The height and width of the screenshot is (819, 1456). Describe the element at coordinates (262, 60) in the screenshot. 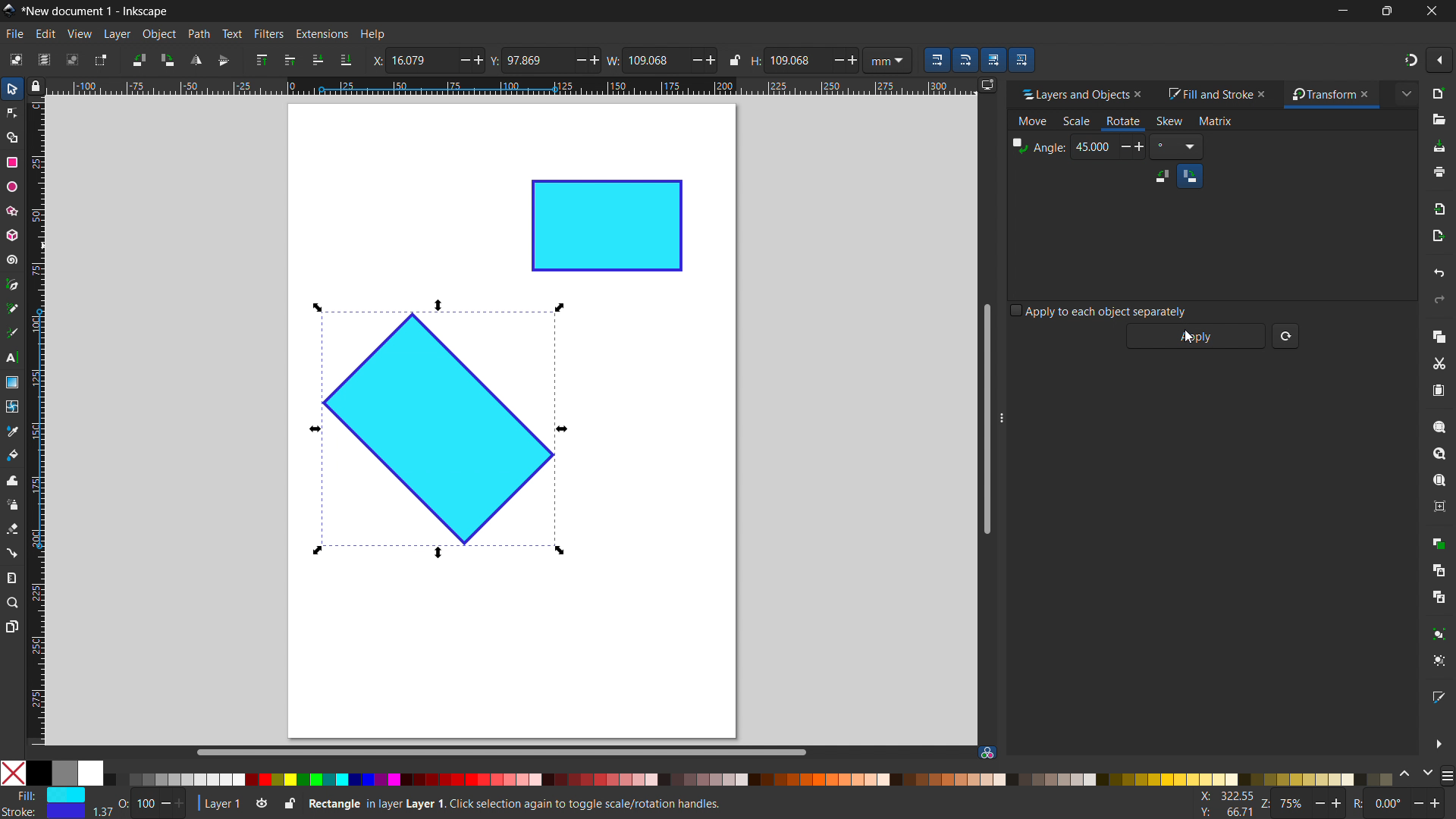

I see `raise to top` at that location.